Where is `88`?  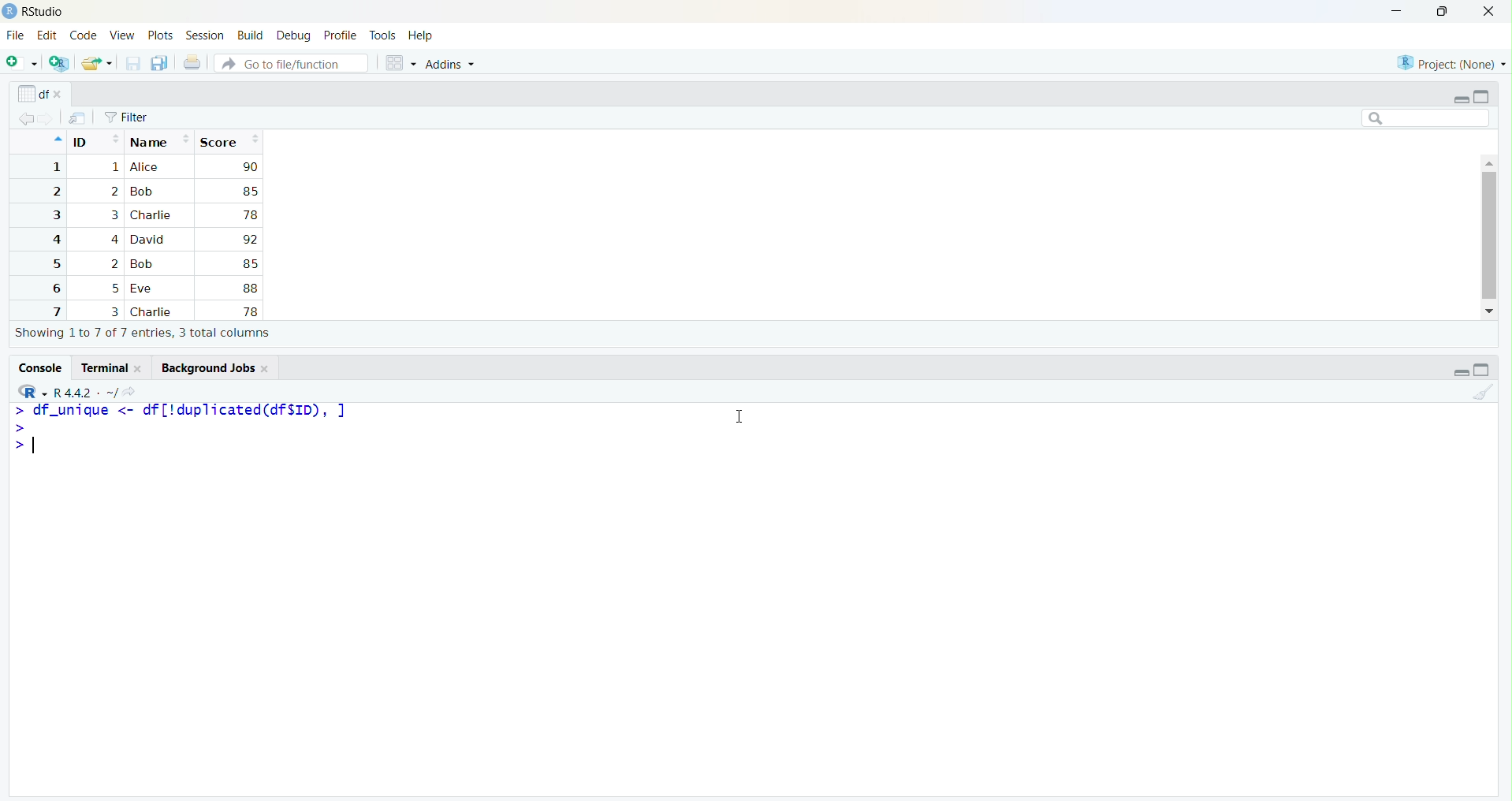
88 is located at coordinates (251, 288).